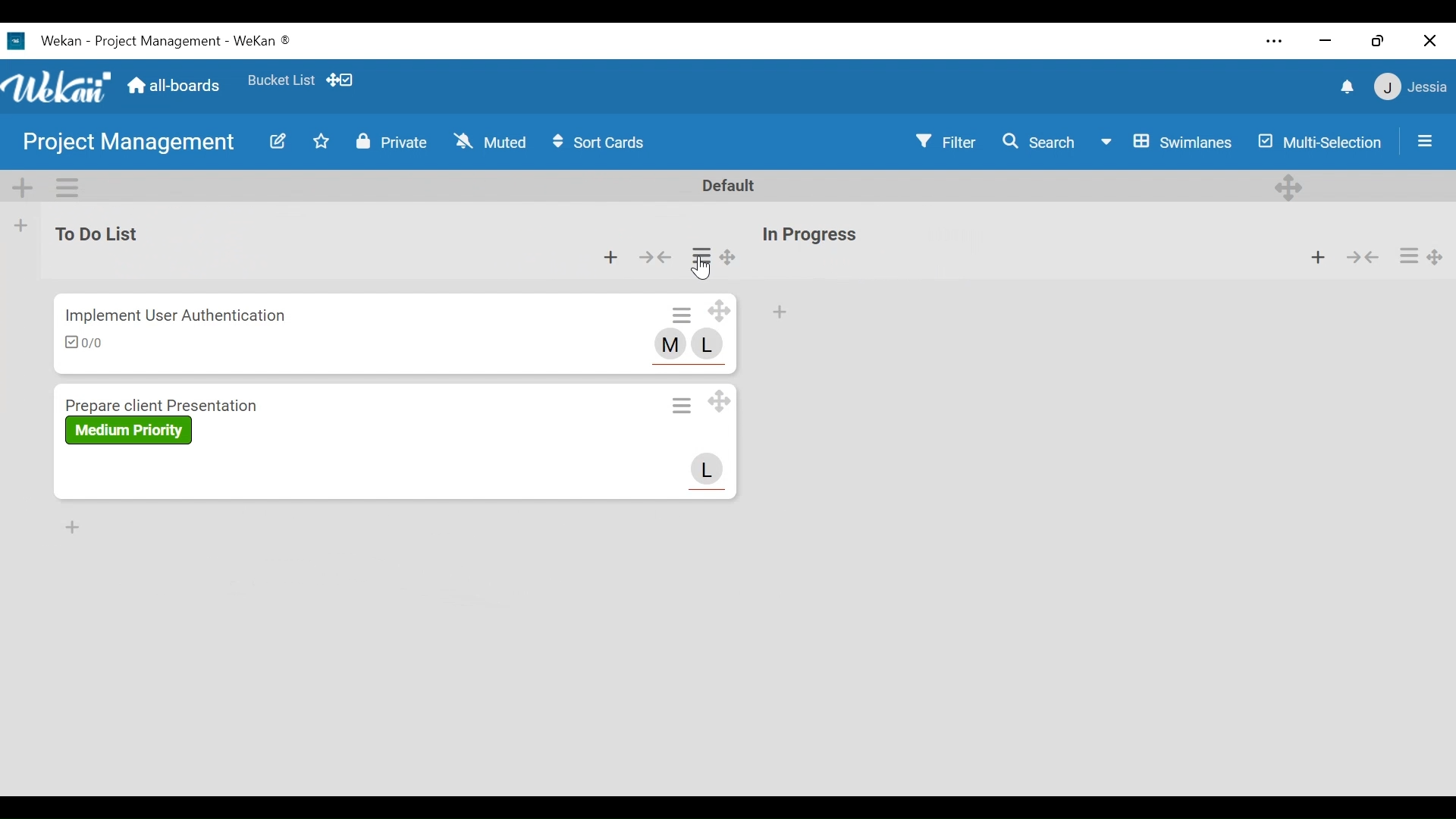  I want to click on Card Actions, so click(682, 313).